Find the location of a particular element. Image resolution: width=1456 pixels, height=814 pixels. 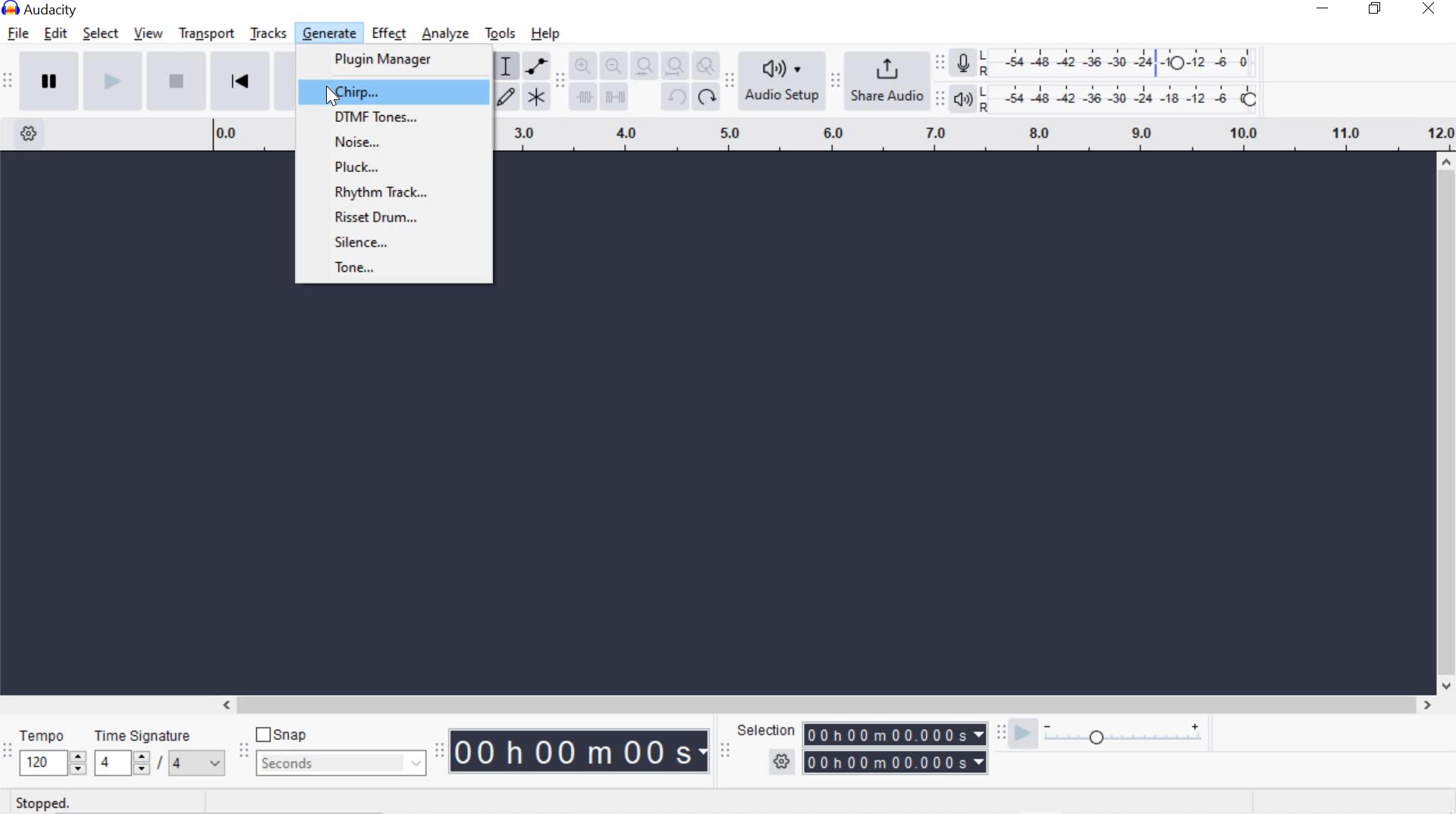

undo is located at coordinates (673, 96).